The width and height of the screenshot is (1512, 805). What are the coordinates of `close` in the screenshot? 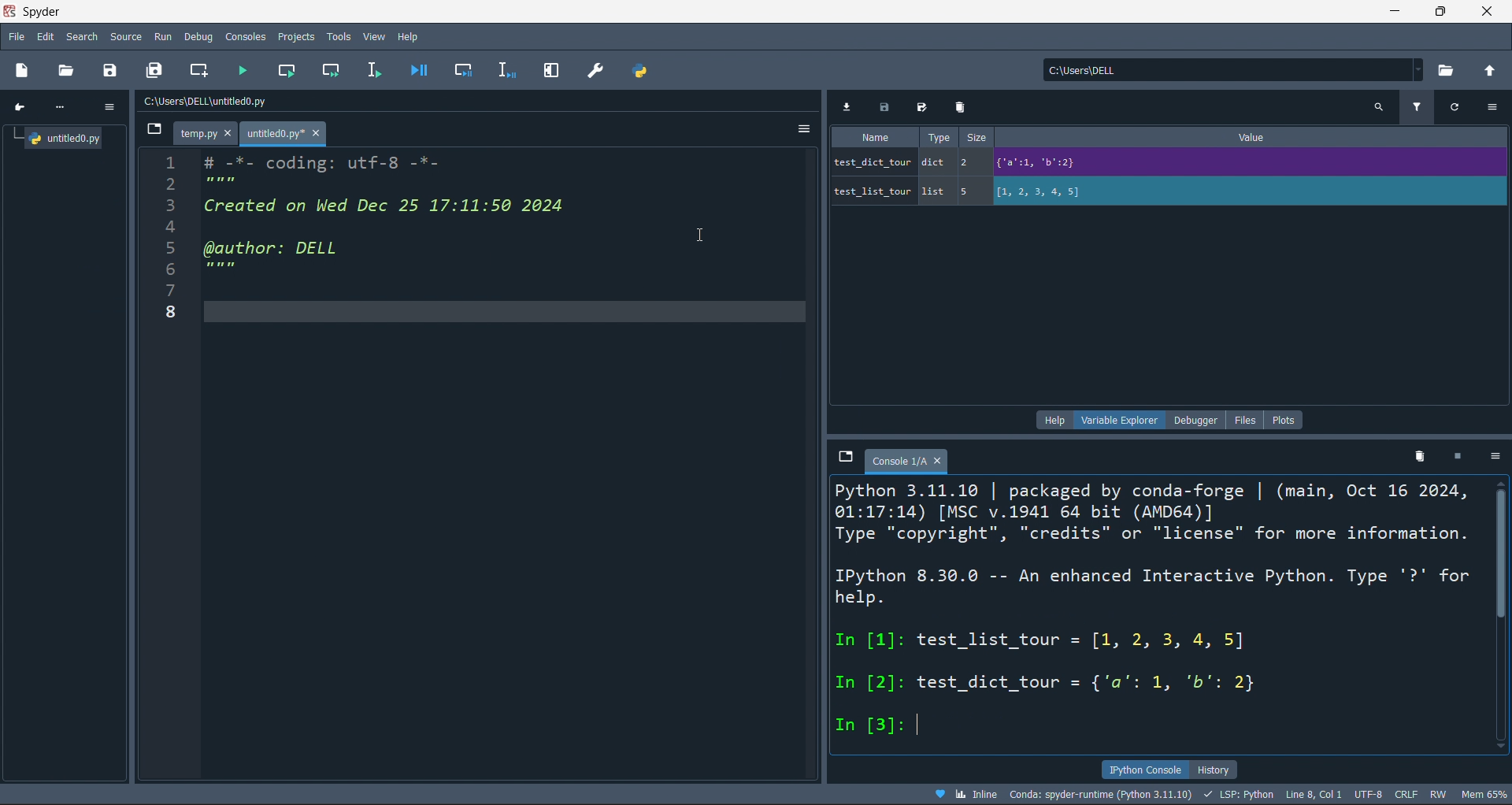 It's located at (1484, 11).